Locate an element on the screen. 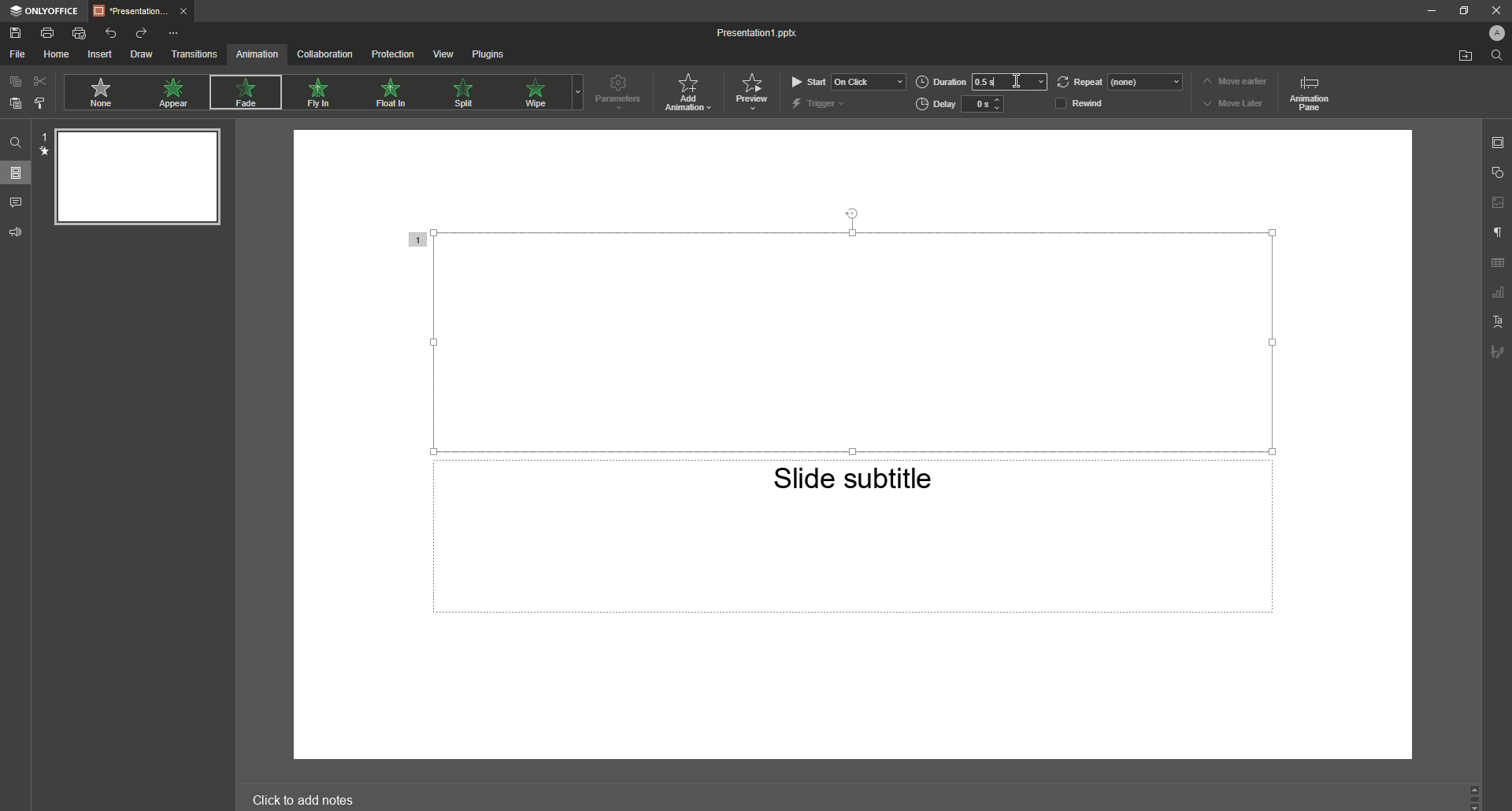  Fly In is located at coordinates (319, 92).